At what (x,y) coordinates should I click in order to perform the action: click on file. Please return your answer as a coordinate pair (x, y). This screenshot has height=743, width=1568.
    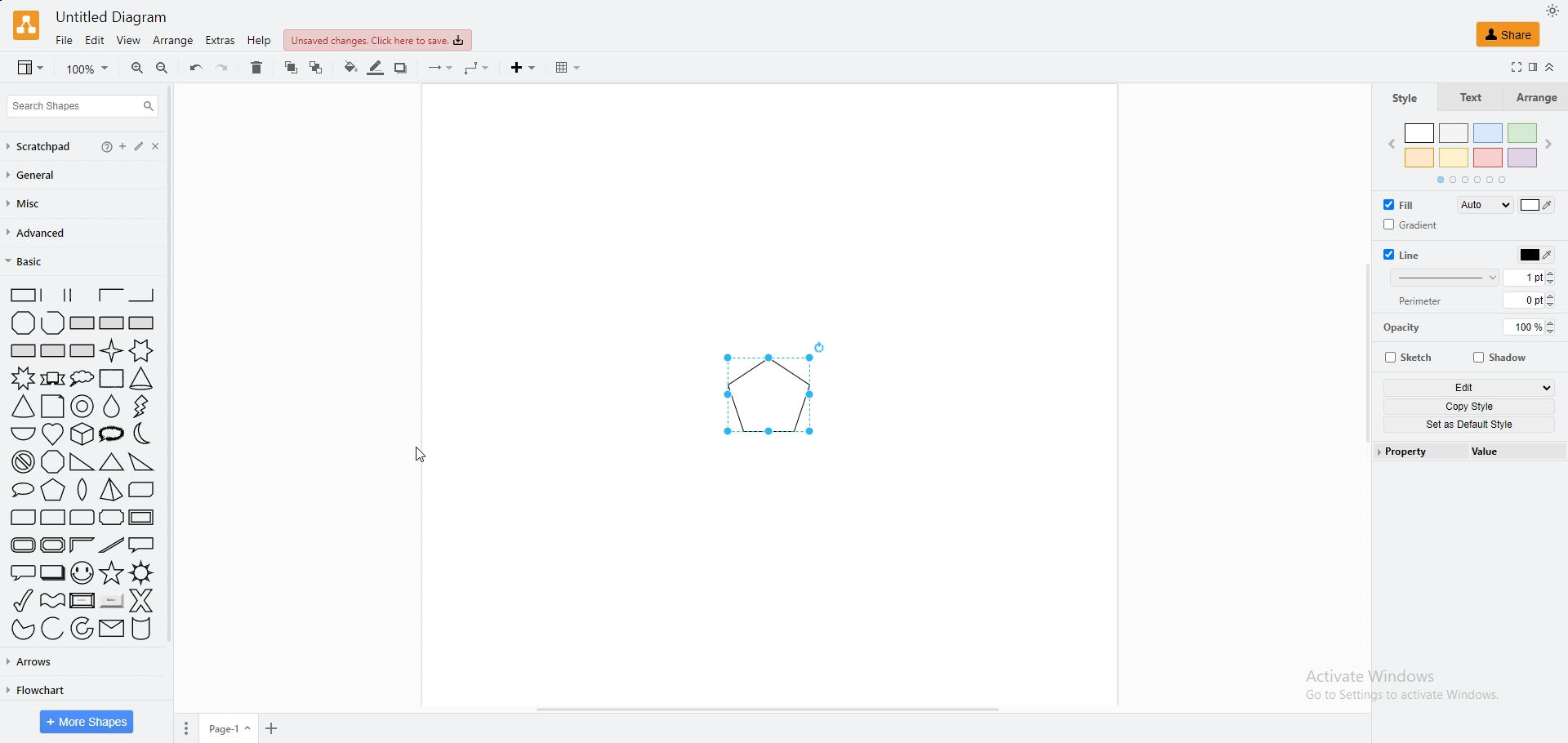
    Looking at the image, I should click on (65, 41).